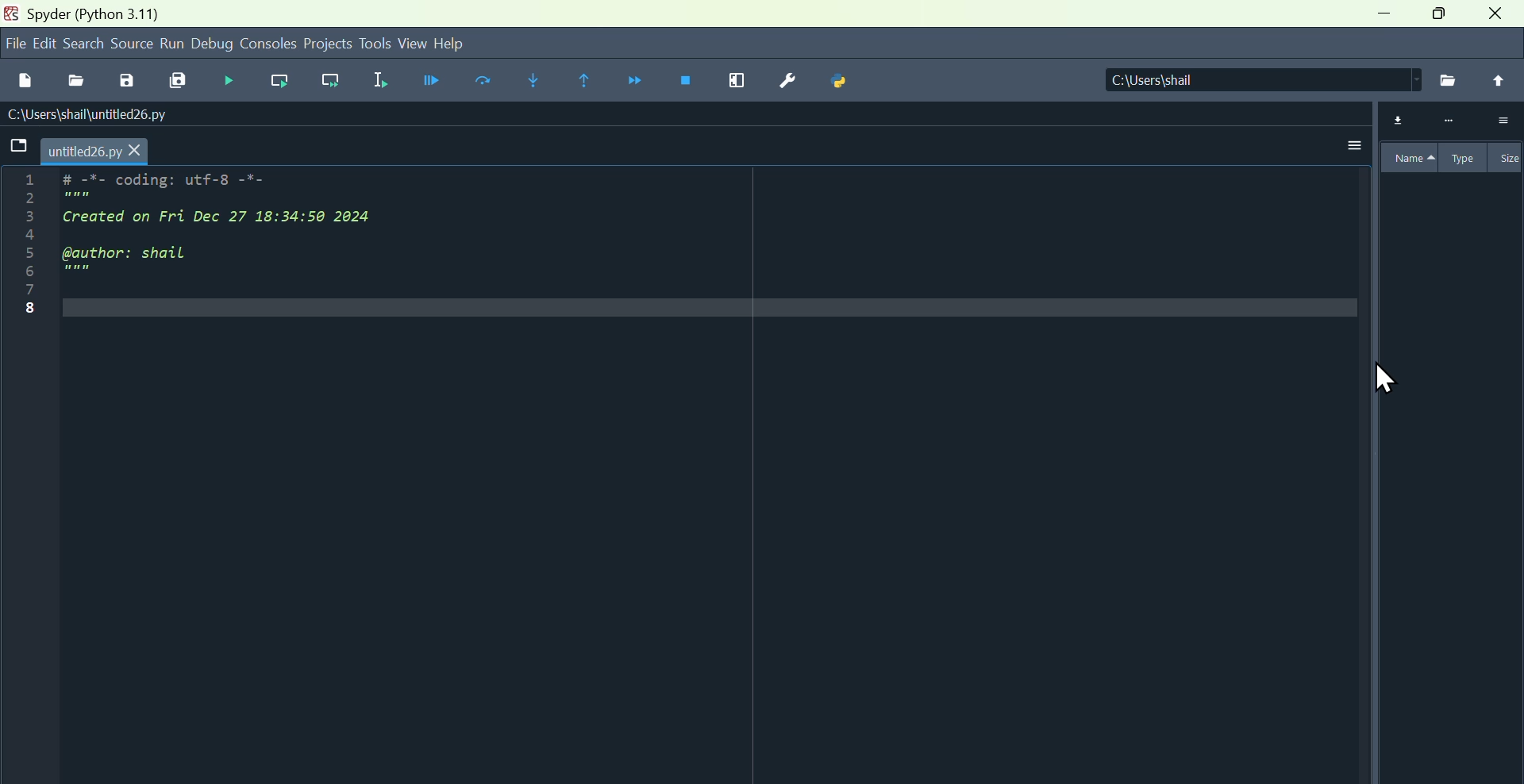  I want to click on Debug file, so click(427, 81).